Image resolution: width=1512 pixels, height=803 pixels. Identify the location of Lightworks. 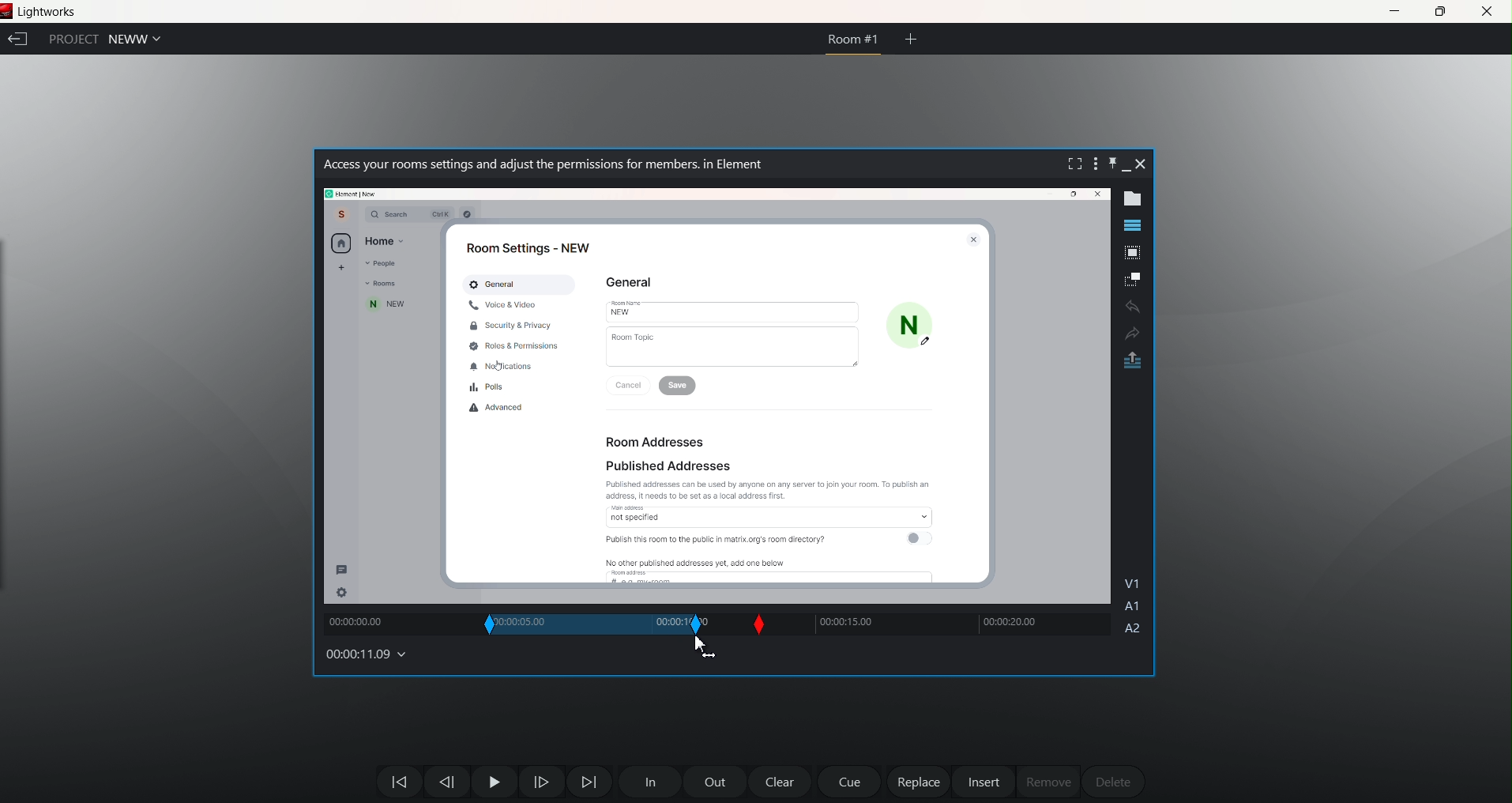
(54, 13).